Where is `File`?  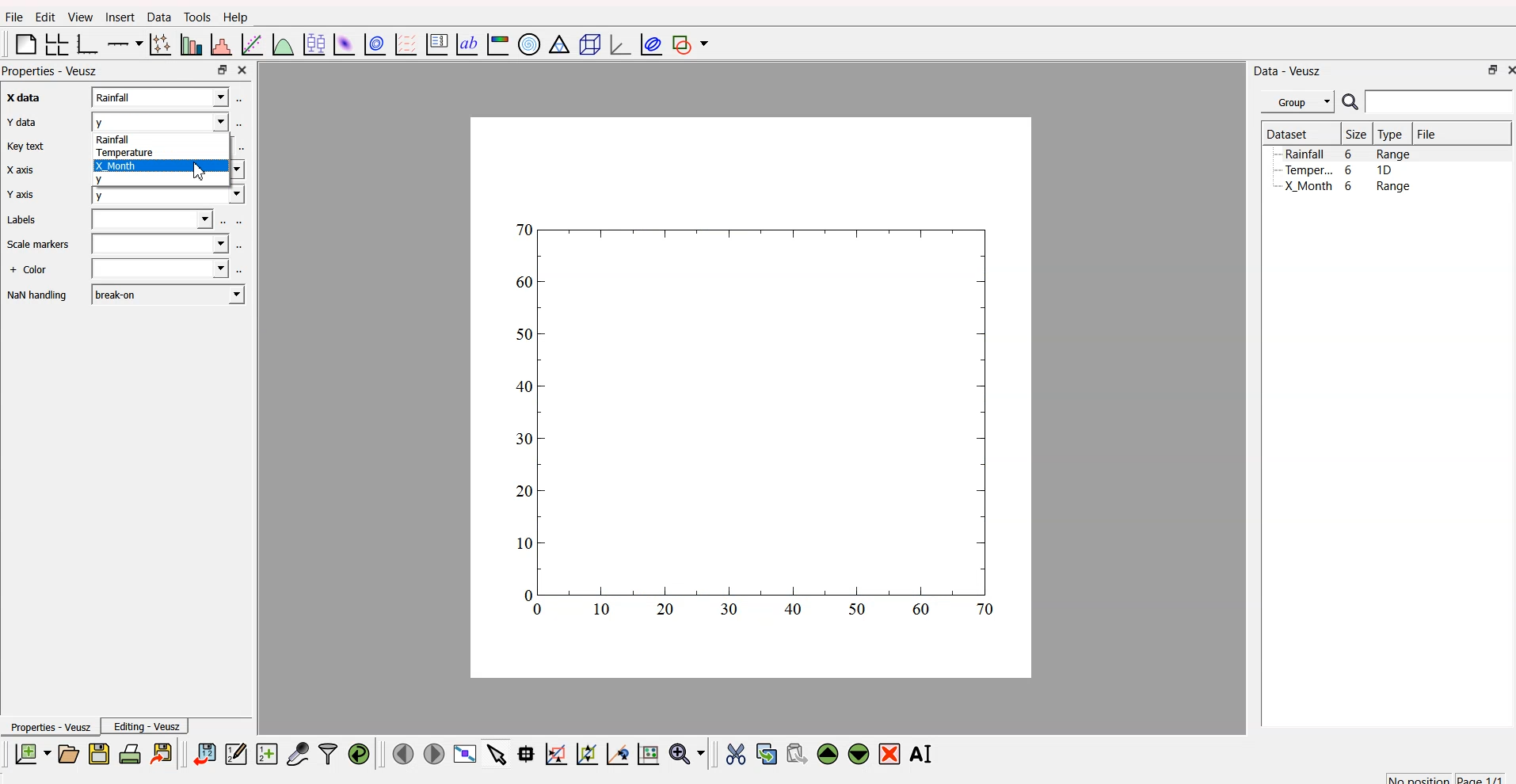
File is located at coordinates (1428, 134).